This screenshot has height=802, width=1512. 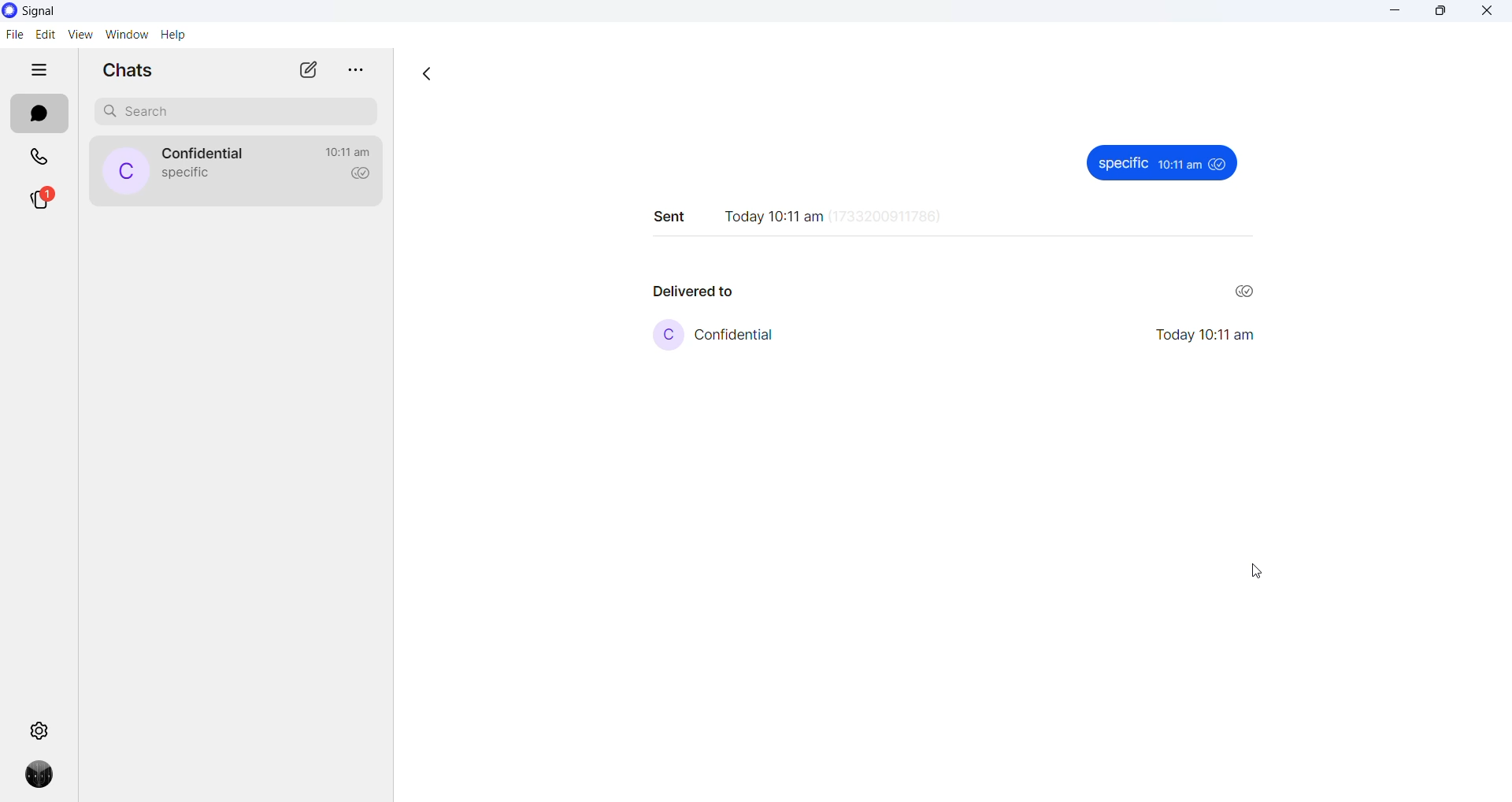 What do you see at coordinates (36, 114) in the screenshot?
I see `chats` at bounding box center [36, 114].